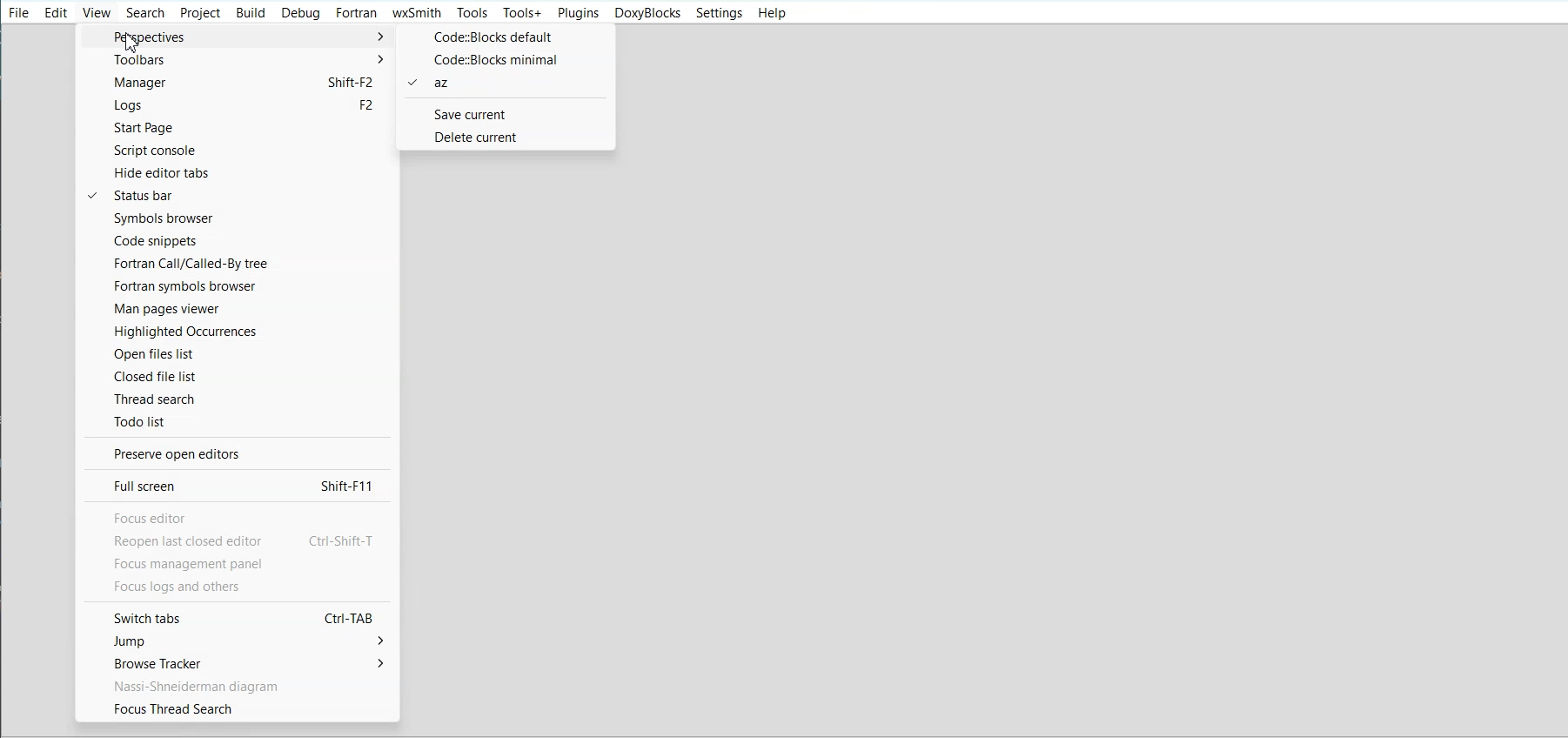 The image size is (1568, 738). What do you see at coordinates (302, 13) in the screenshot?
I see `Debug` at bounding box center [302, 13].